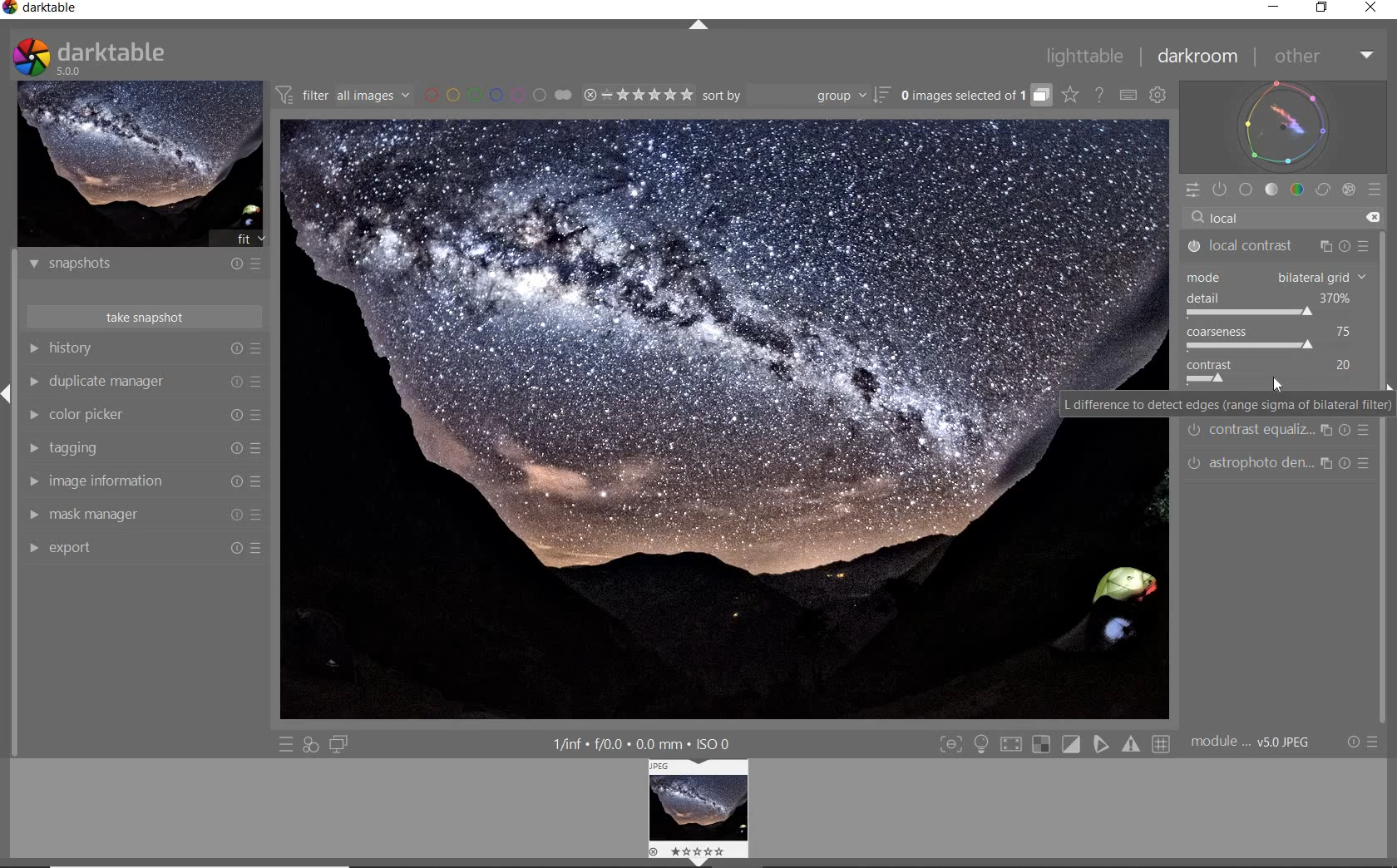  Describe the element at coordinates (1189, 247) in the screenshot. I see `Switched off` at that location.